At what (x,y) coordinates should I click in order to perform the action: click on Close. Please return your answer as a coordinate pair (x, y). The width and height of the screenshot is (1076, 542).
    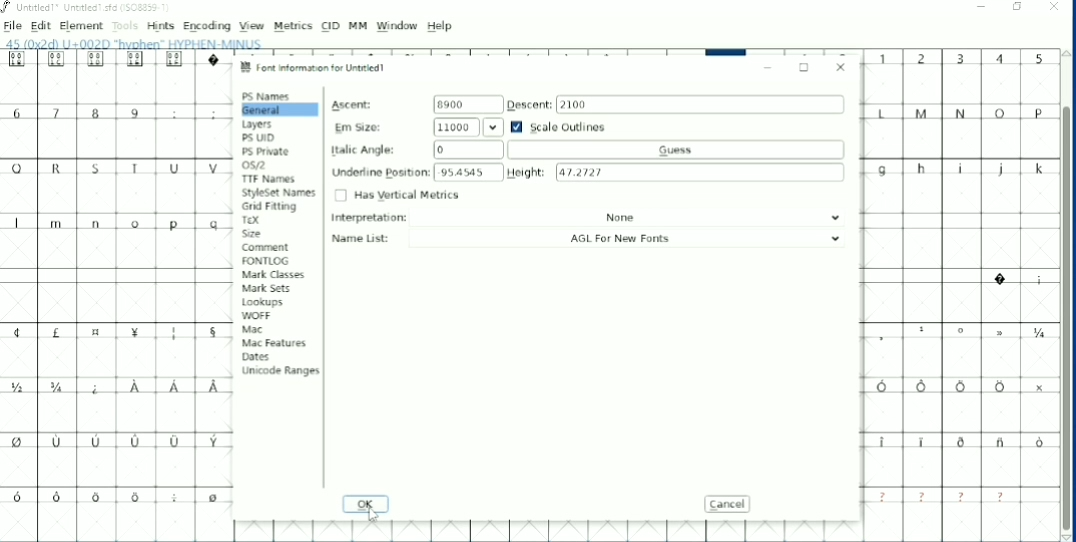
    Looking at the image, I should click on (841, 65).